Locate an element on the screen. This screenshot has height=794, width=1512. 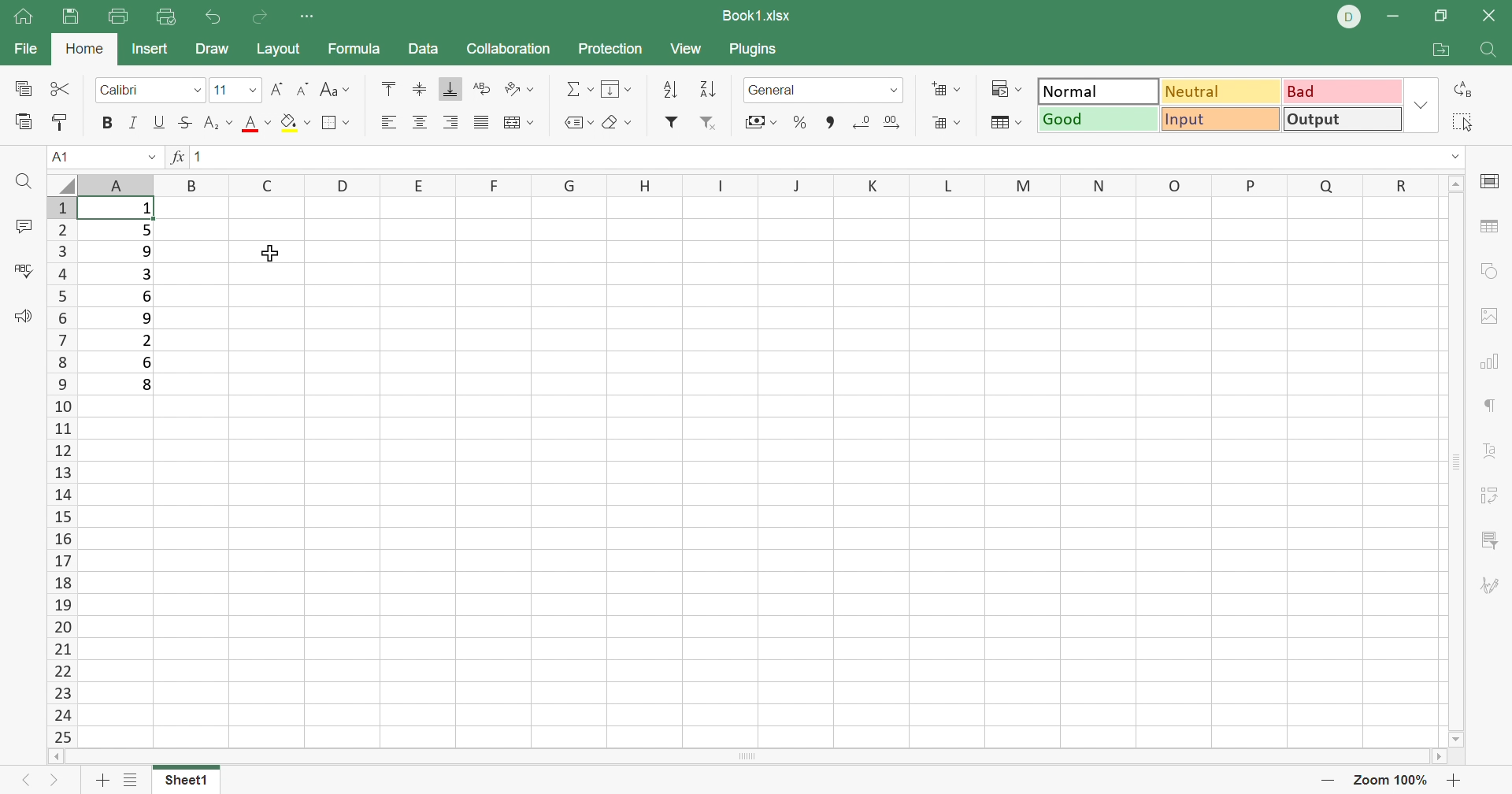
Minimize is located at coordinates (1393, 17).